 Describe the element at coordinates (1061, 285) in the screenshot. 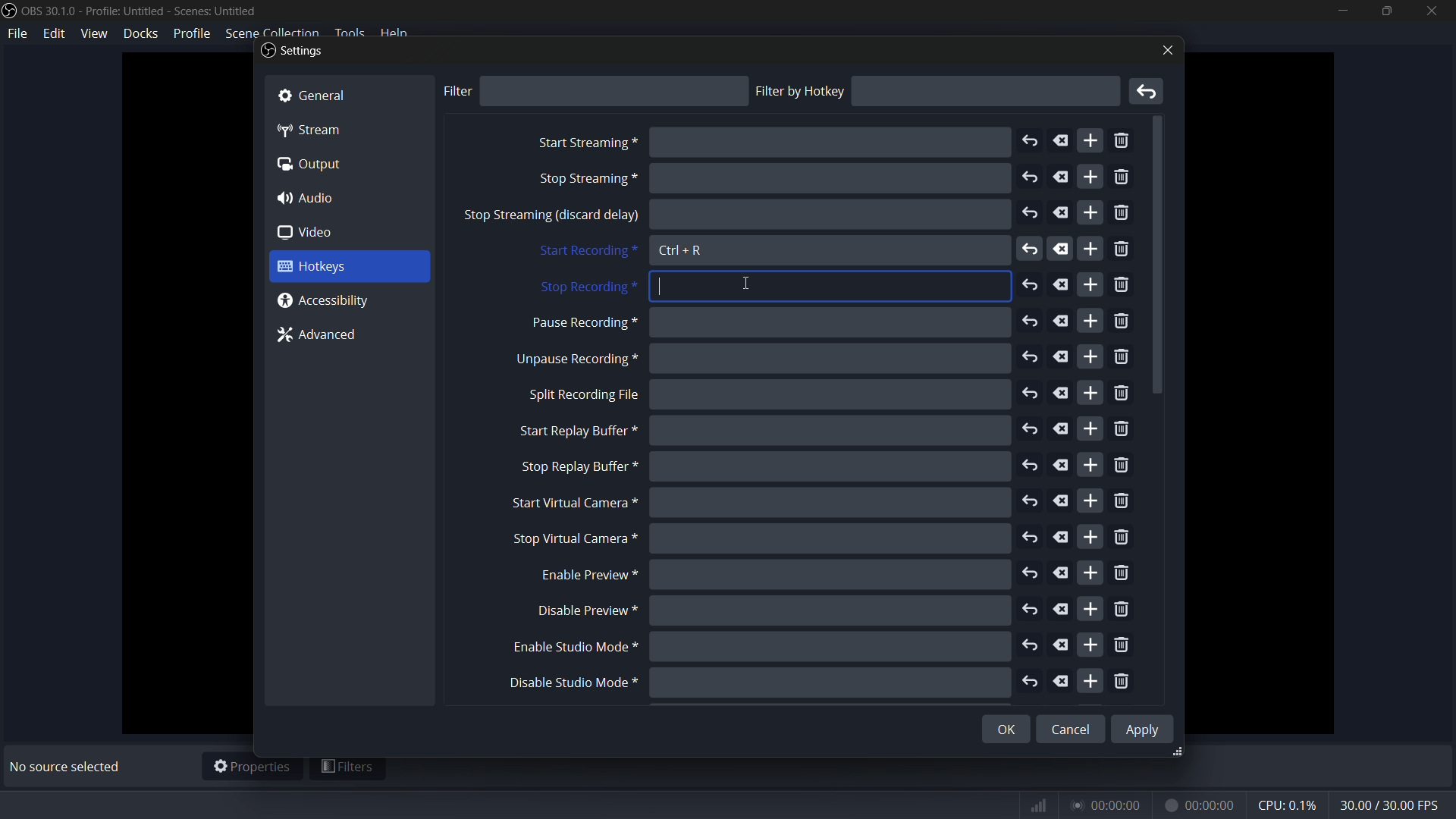

I see `delete` at that location.